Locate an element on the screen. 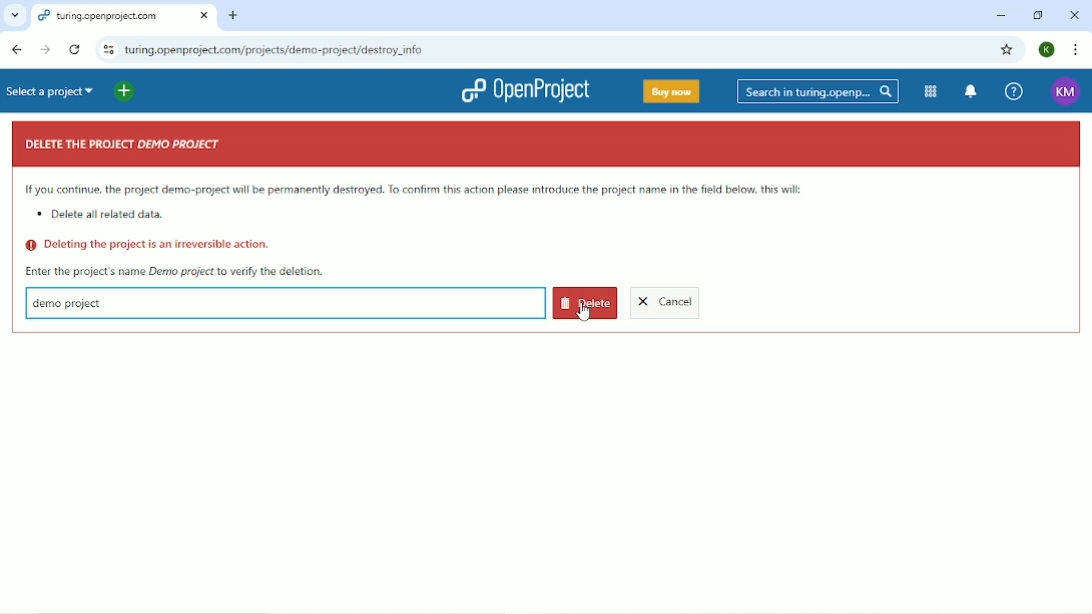 The width and height of the screenshot is (1092, 614). Modules is located at coordinates (931, 91).